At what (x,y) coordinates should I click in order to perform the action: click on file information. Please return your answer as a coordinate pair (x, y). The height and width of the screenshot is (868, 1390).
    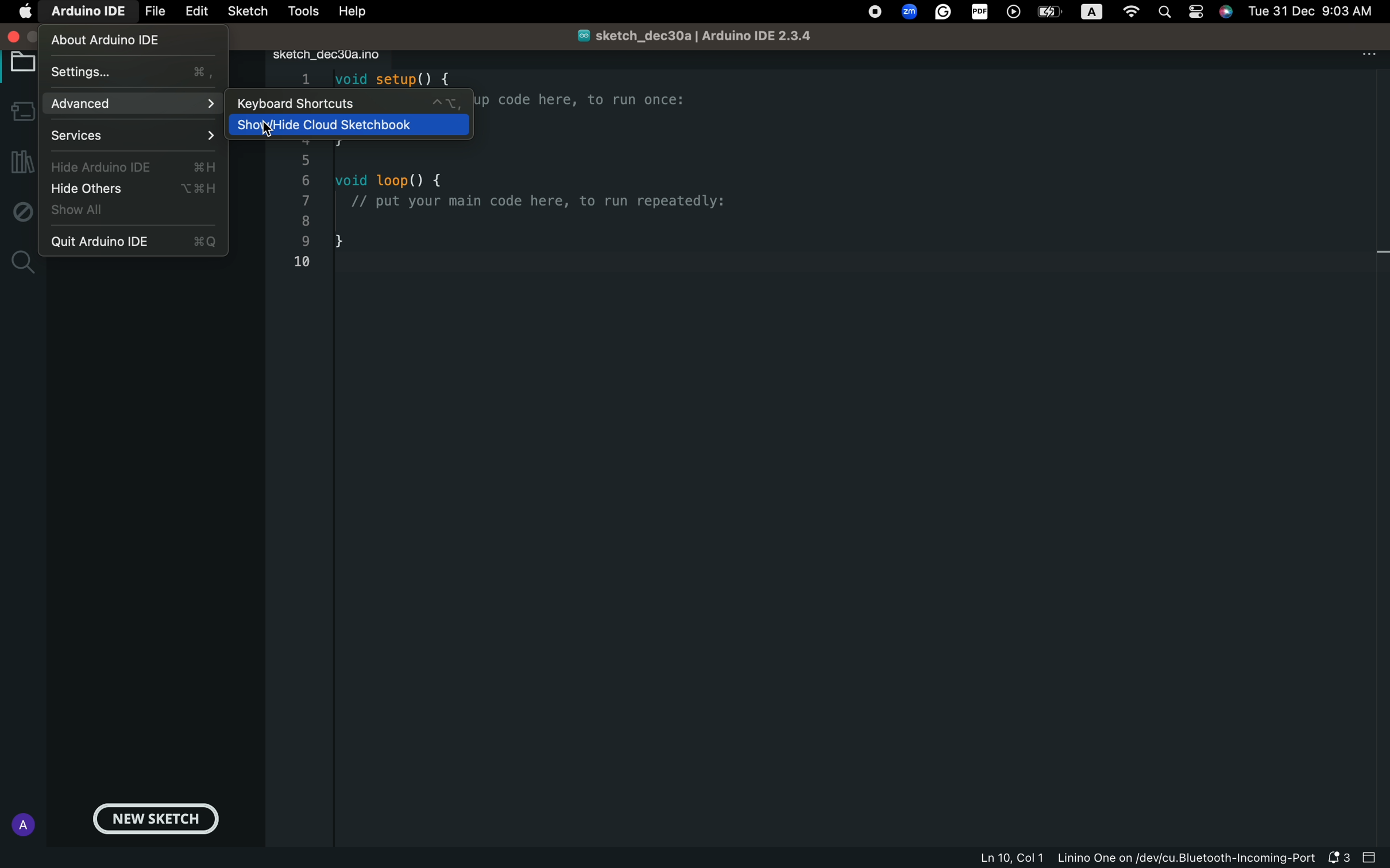
    Looking at the image, I should click on (1142, 858).